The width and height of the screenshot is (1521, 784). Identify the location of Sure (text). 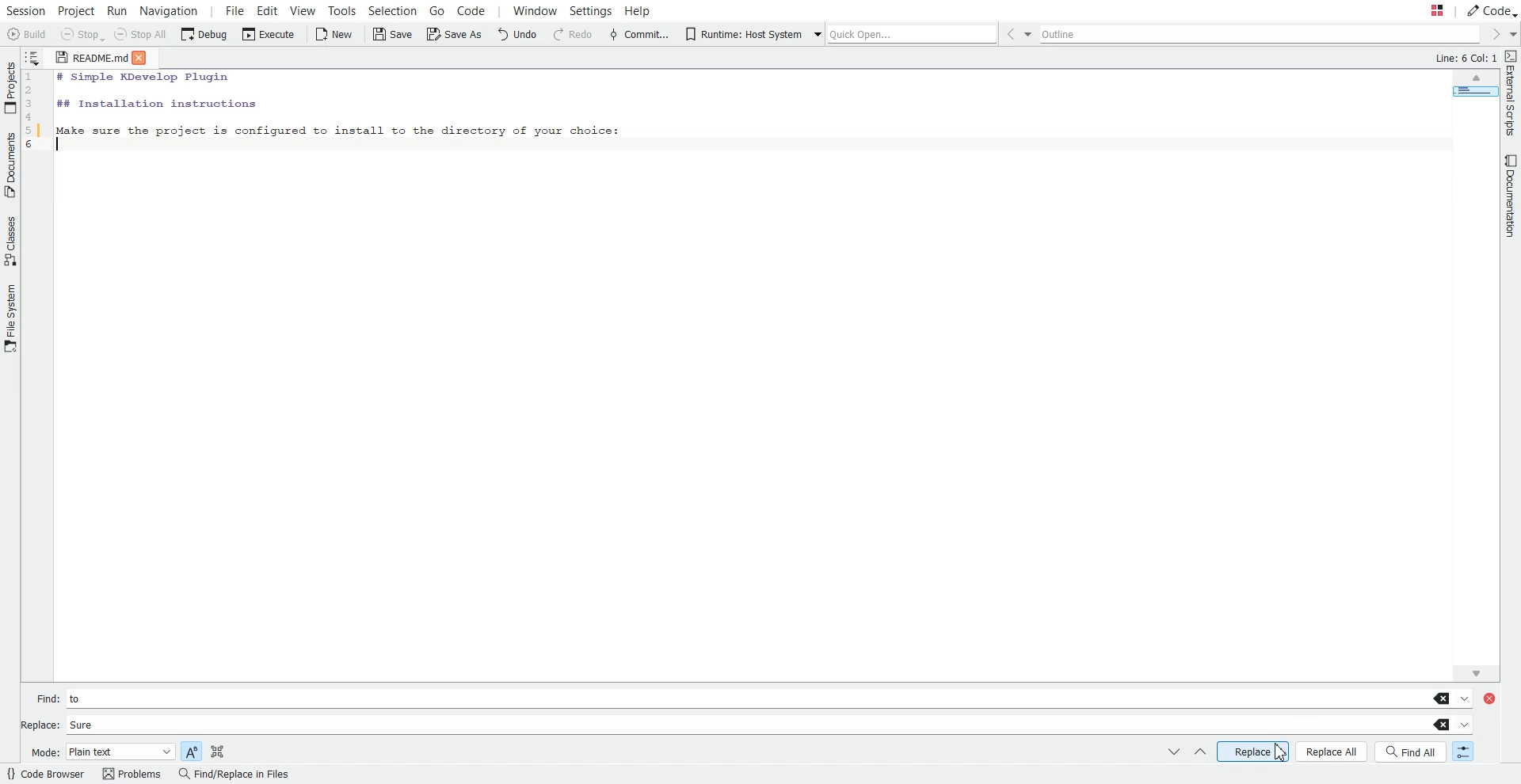
(81, 725).